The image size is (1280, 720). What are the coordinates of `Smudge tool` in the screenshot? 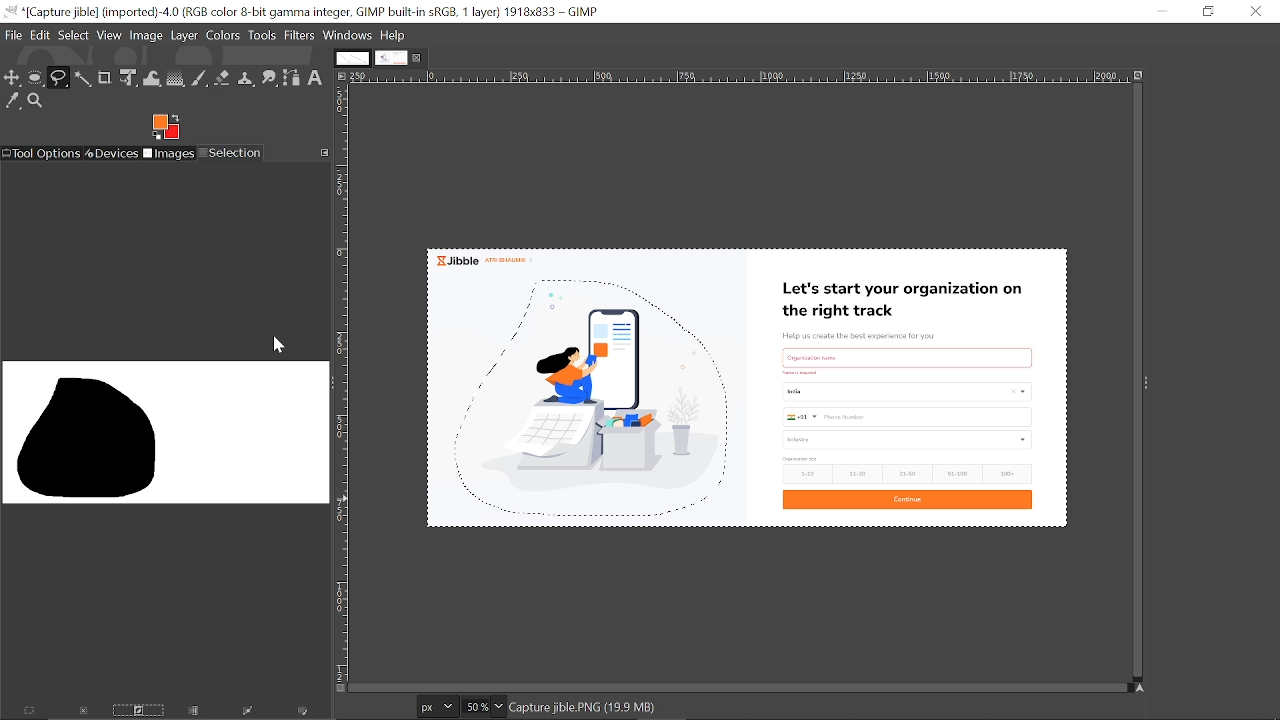 It's located at (272, 79).